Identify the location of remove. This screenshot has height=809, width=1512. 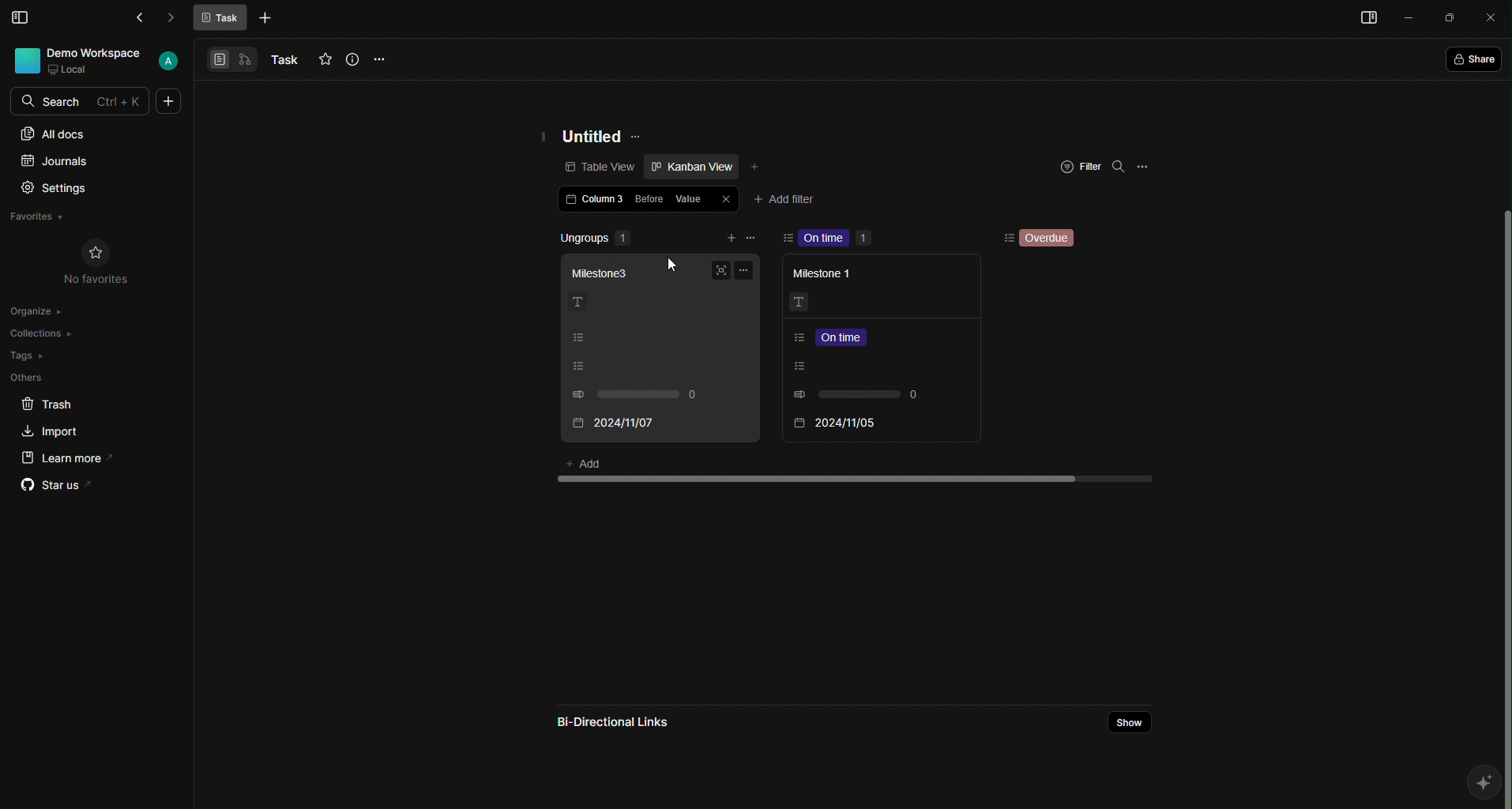
(748, 237).